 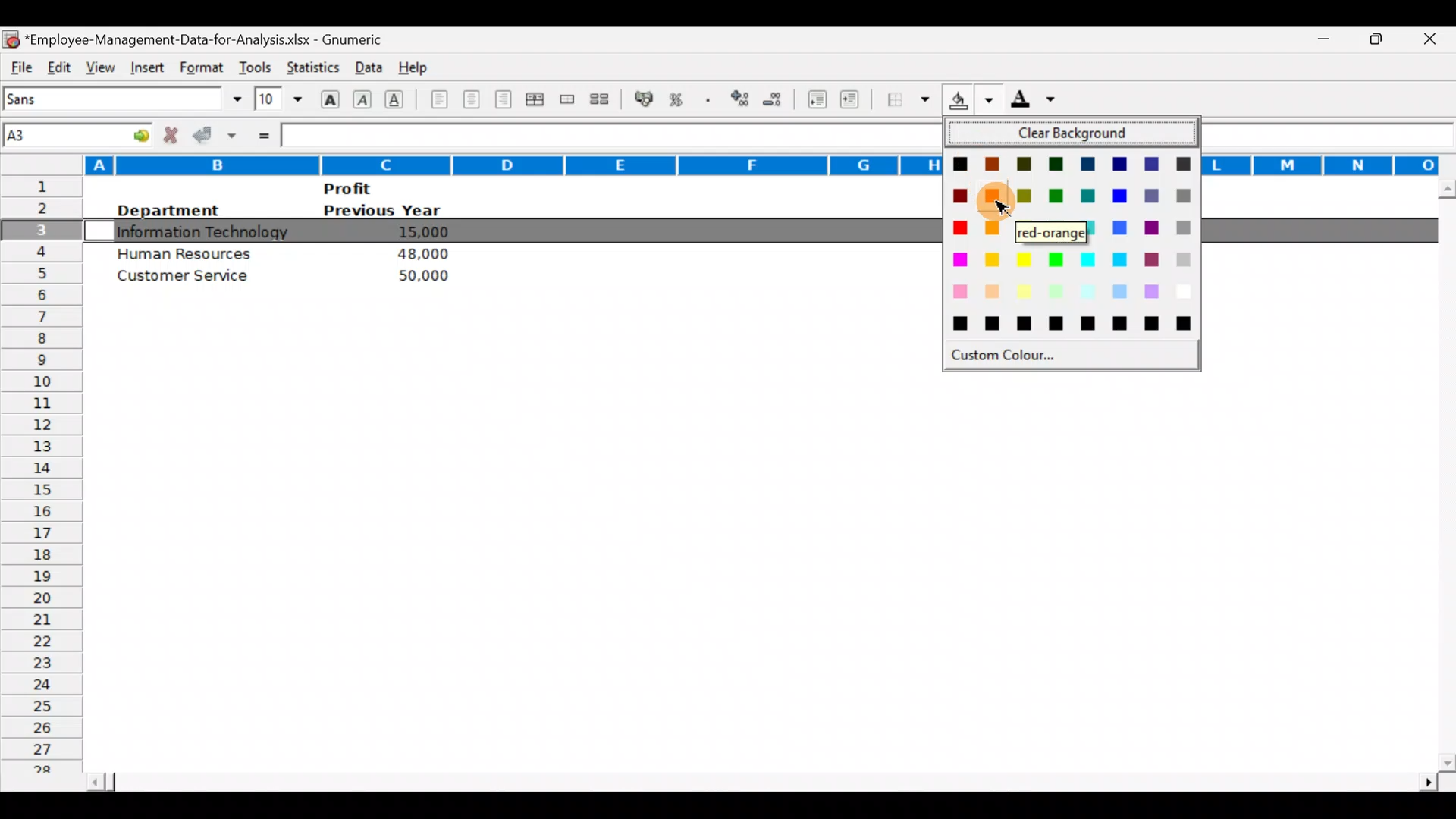 What do you see at coordinates (420, 254) in the screenshot?
I see `48,000` at bounding box center [420, 254].